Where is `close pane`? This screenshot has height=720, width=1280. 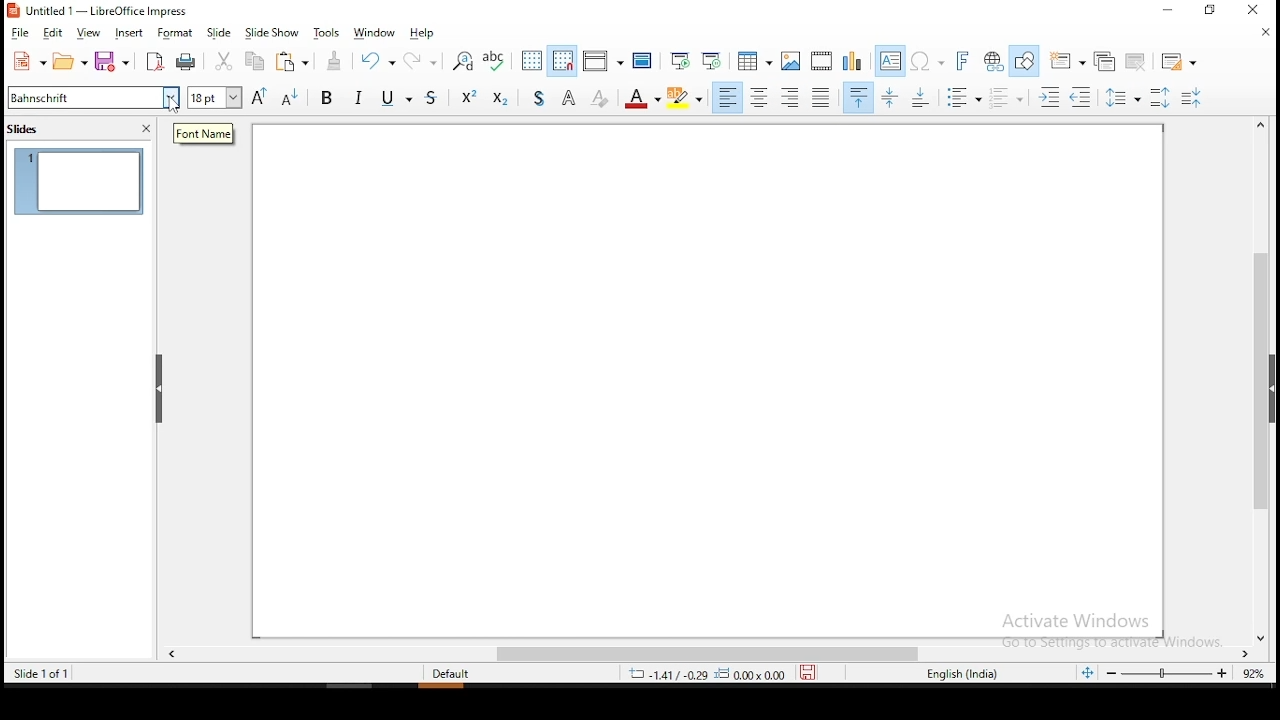
close pane is located at coordinates (149, 128).